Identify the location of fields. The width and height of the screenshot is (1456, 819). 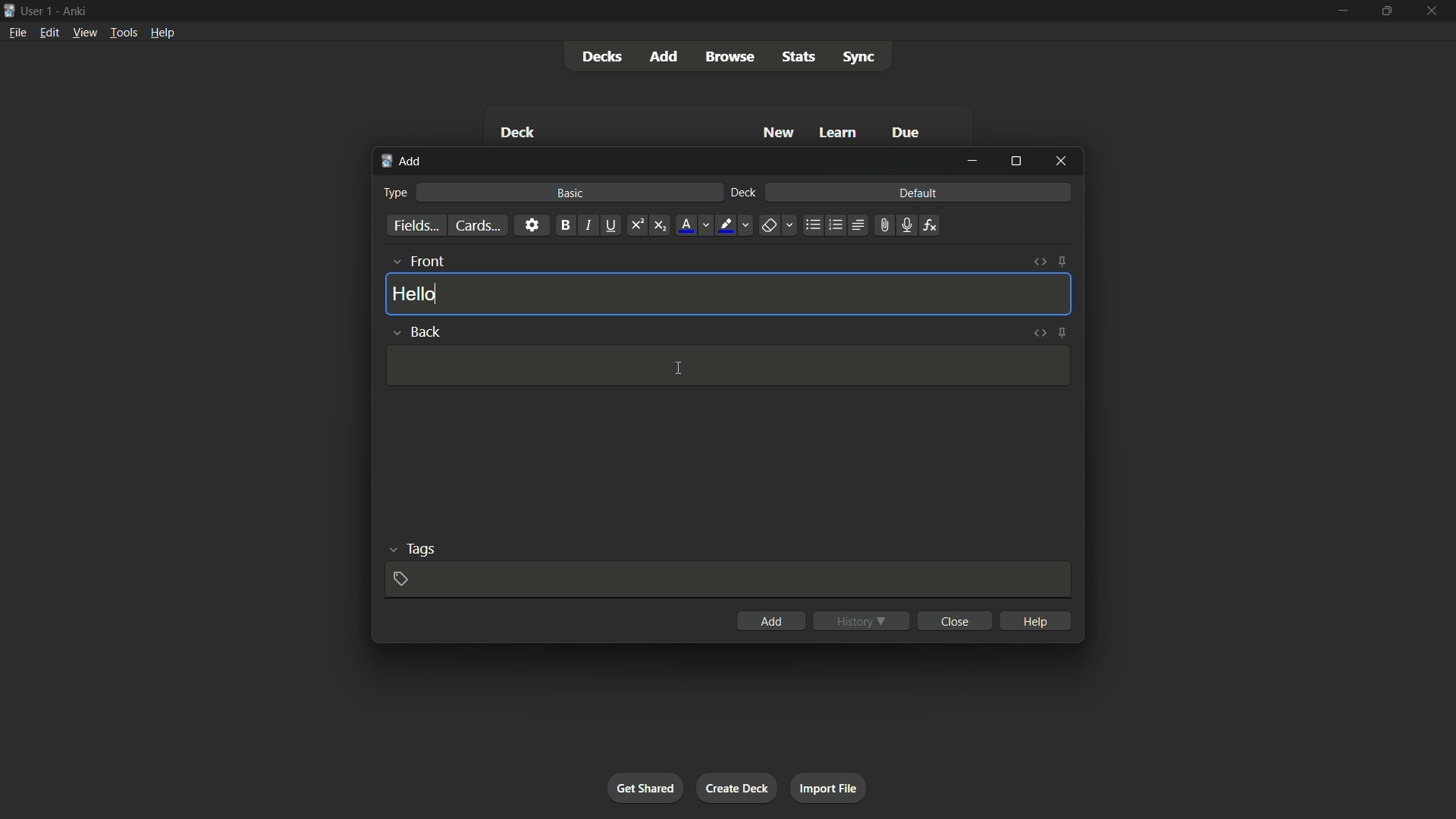
(416, 224).